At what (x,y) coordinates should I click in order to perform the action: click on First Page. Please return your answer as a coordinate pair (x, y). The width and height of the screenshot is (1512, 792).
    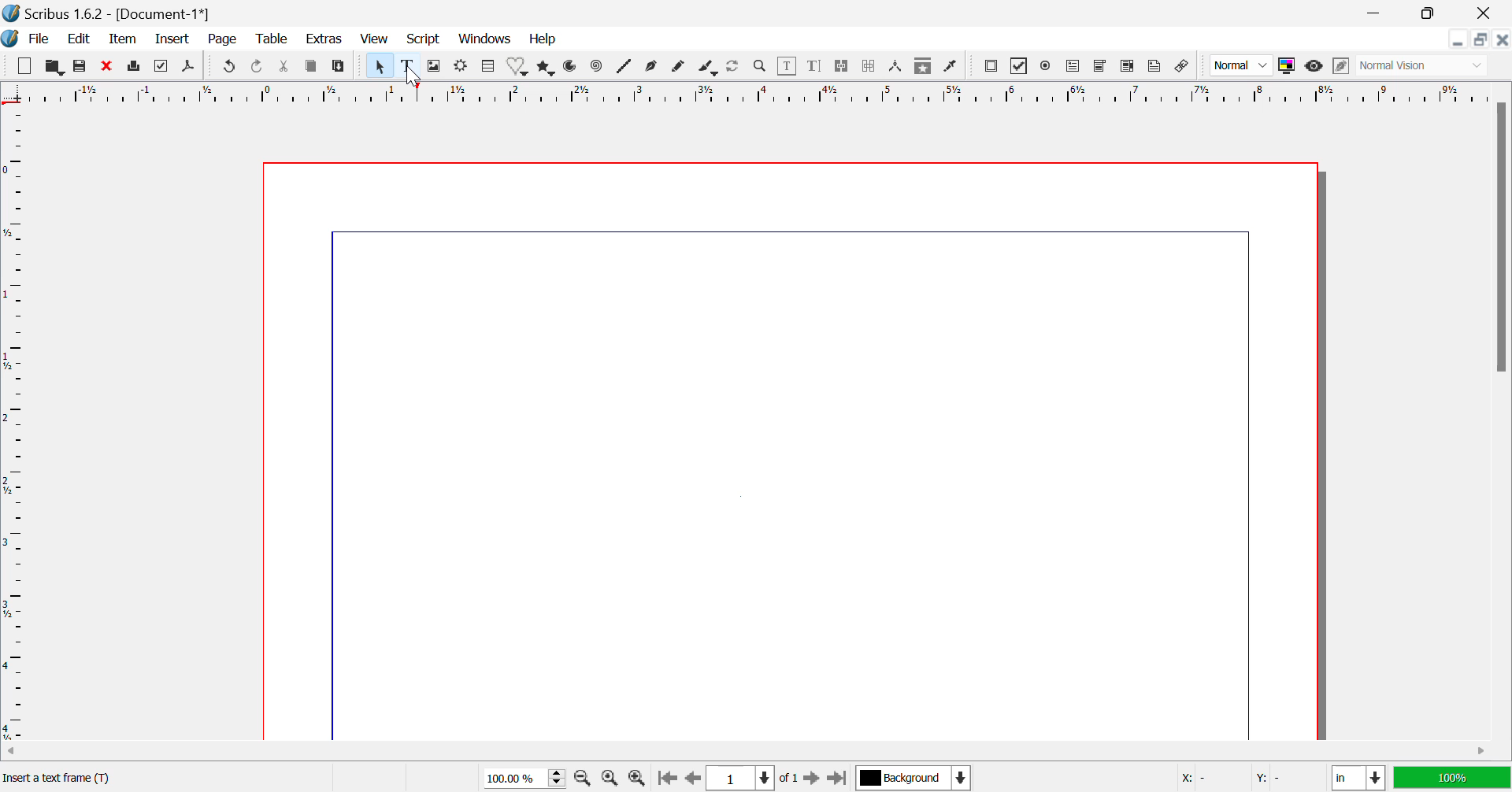
    Looking at the image, I should click on (666, 778).